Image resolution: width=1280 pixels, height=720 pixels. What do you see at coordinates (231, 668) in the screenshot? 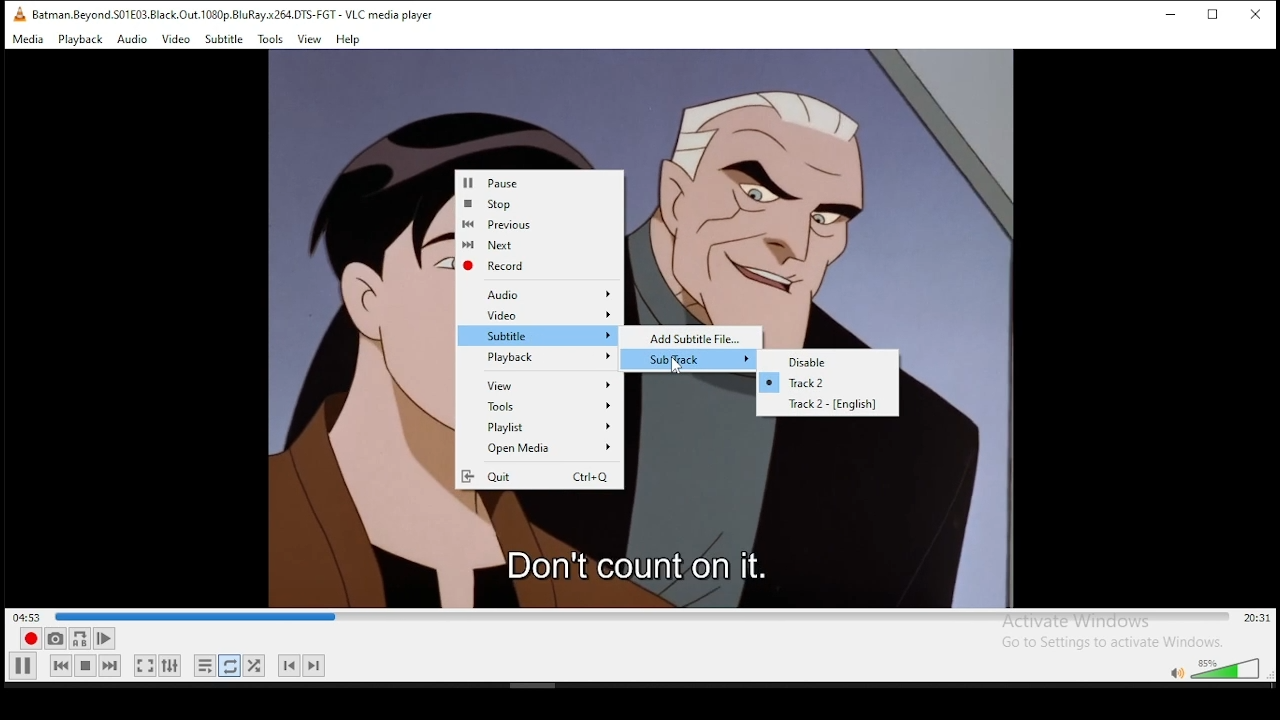
I see `repeat` at bounding box center [231, 668].